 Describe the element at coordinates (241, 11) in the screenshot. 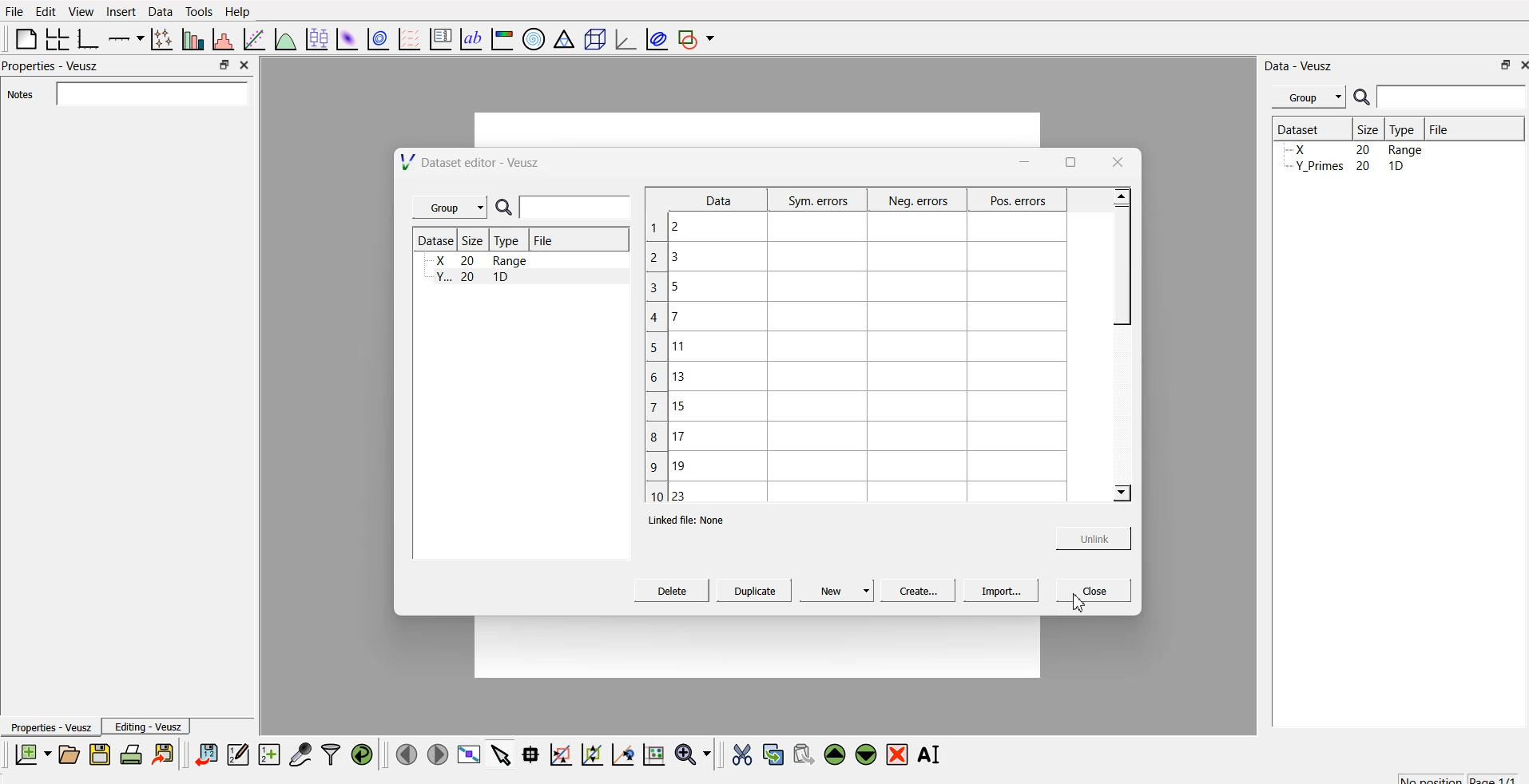

I see `Help` at that location.